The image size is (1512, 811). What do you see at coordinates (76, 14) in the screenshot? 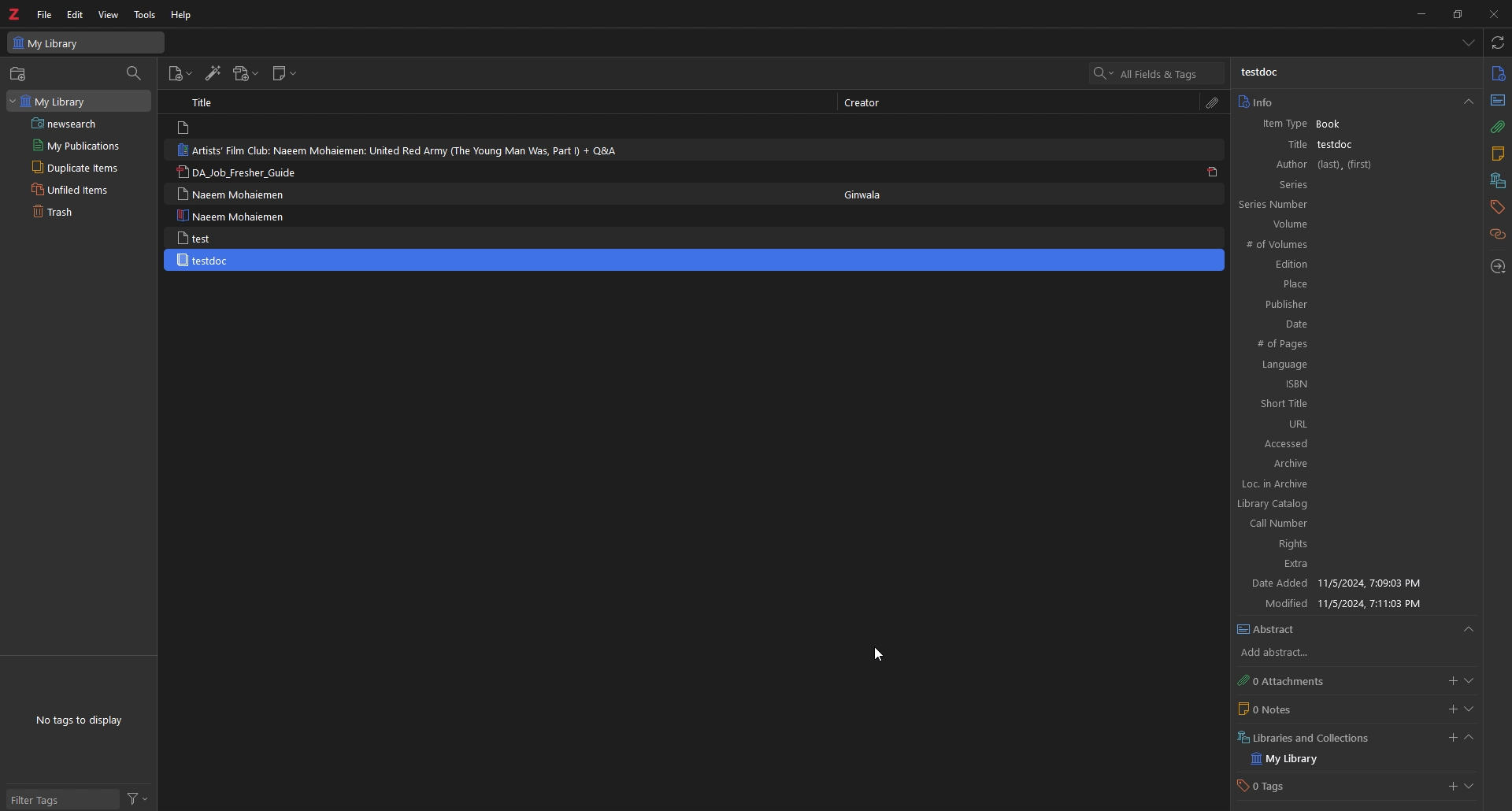
I see `edit` at bounding box center [76, 14].